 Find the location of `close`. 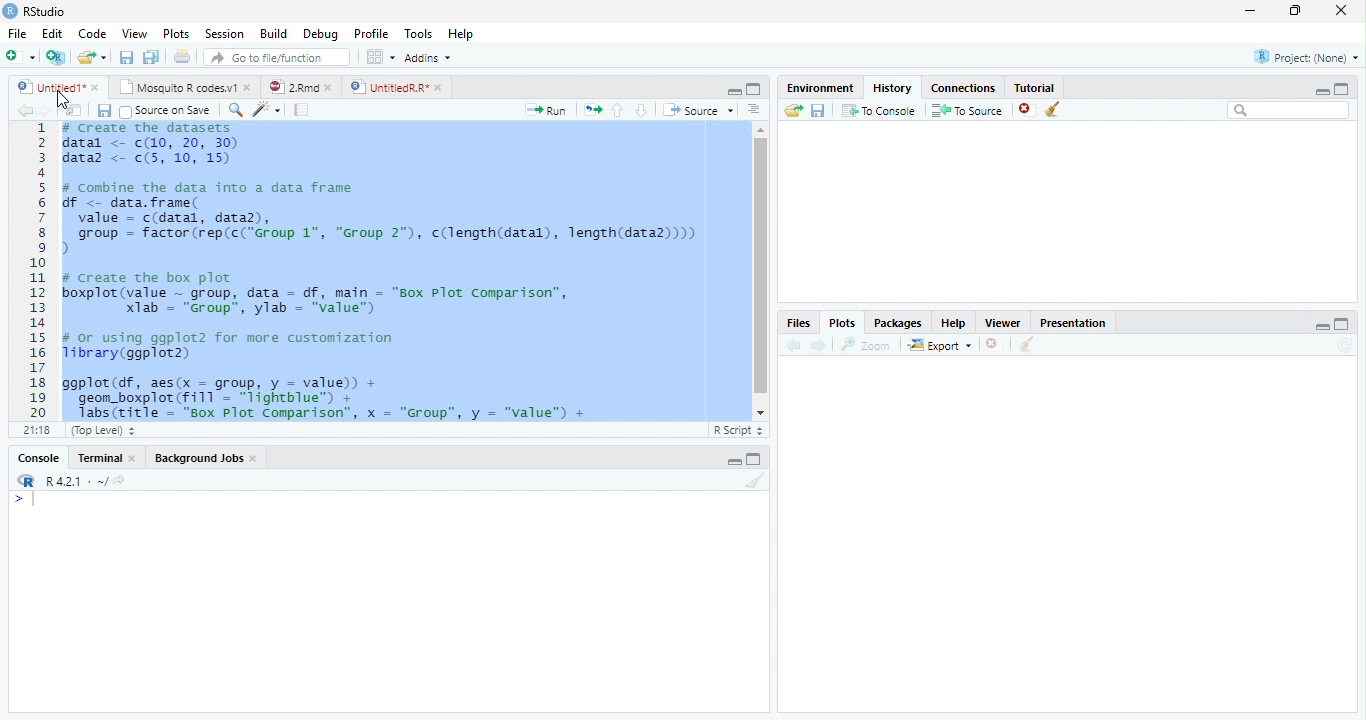

close is located at coordinates (254, 458).